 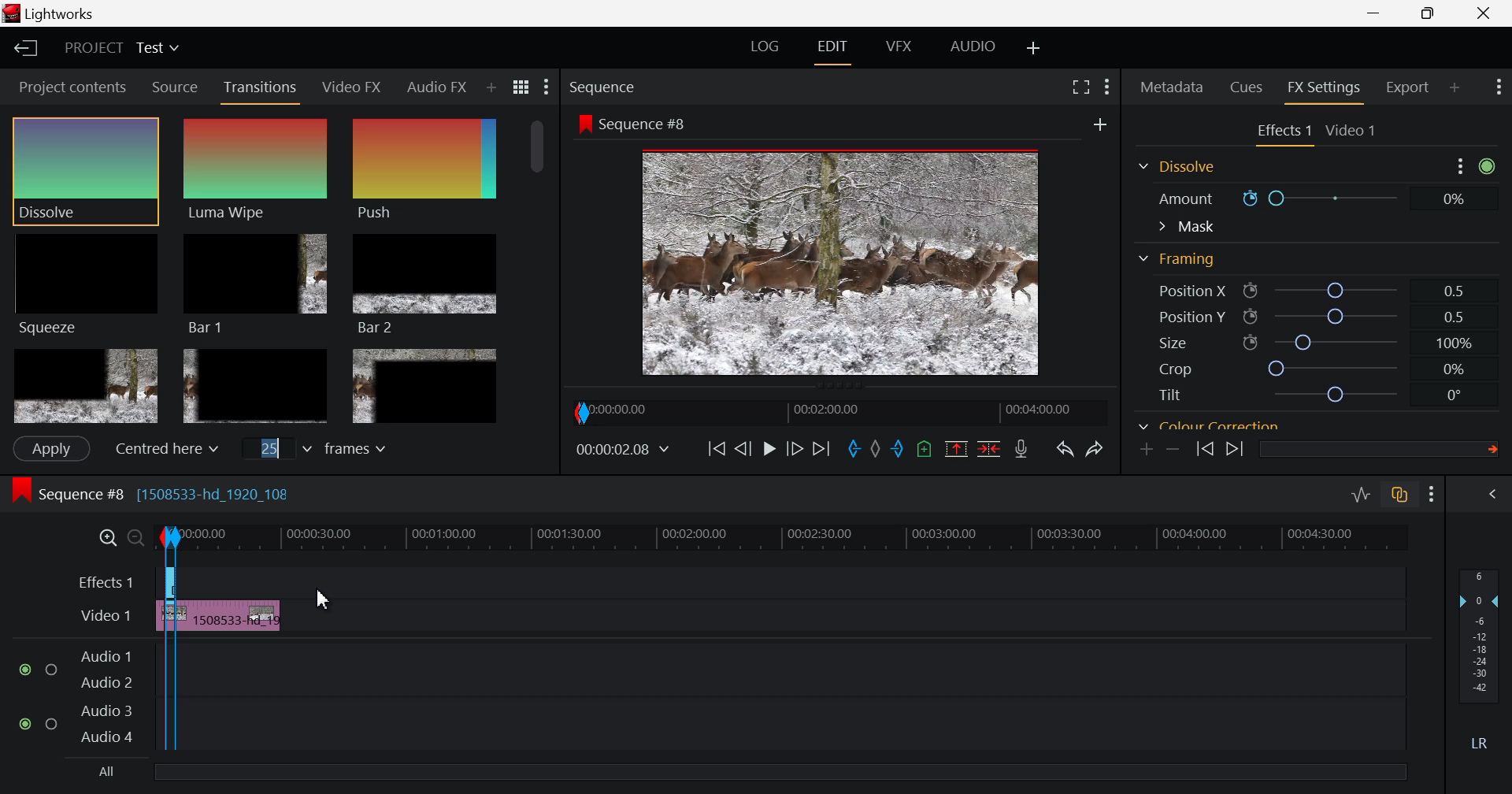 What do you see at coordinates (490, 89) in the screenshot?
I see `Add Panel` at bounding box center [490, 89].